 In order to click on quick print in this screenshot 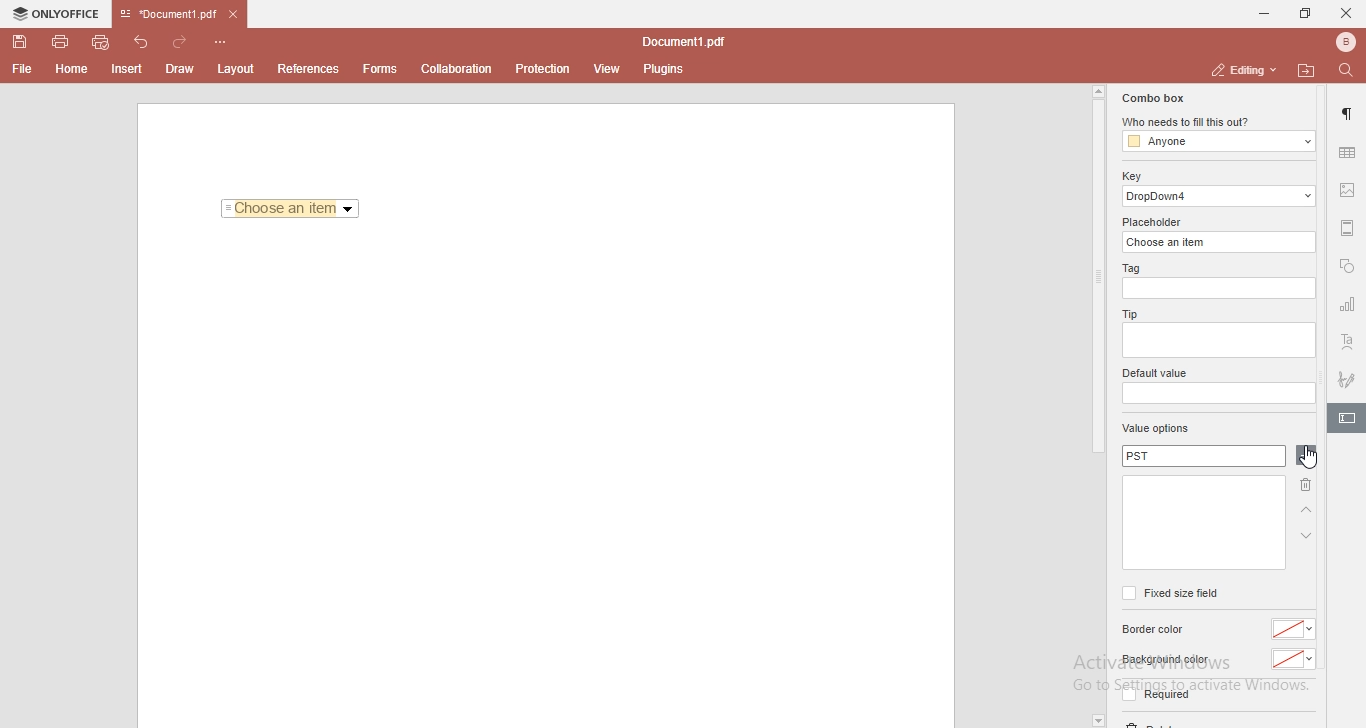, I will do `click(102, 41)`.